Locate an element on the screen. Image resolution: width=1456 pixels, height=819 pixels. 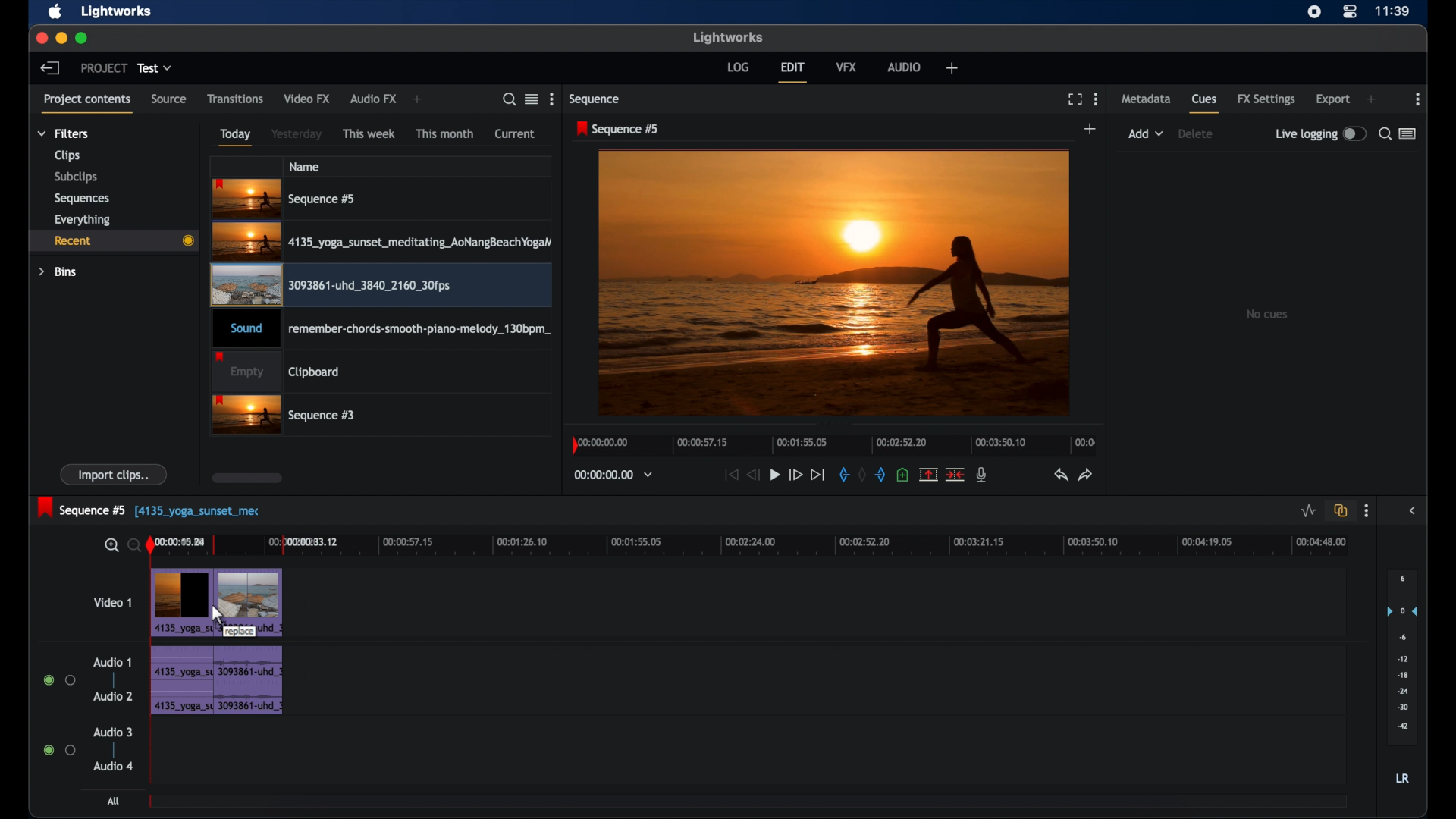
timecodes and reels is located at coordinates (617, 474).